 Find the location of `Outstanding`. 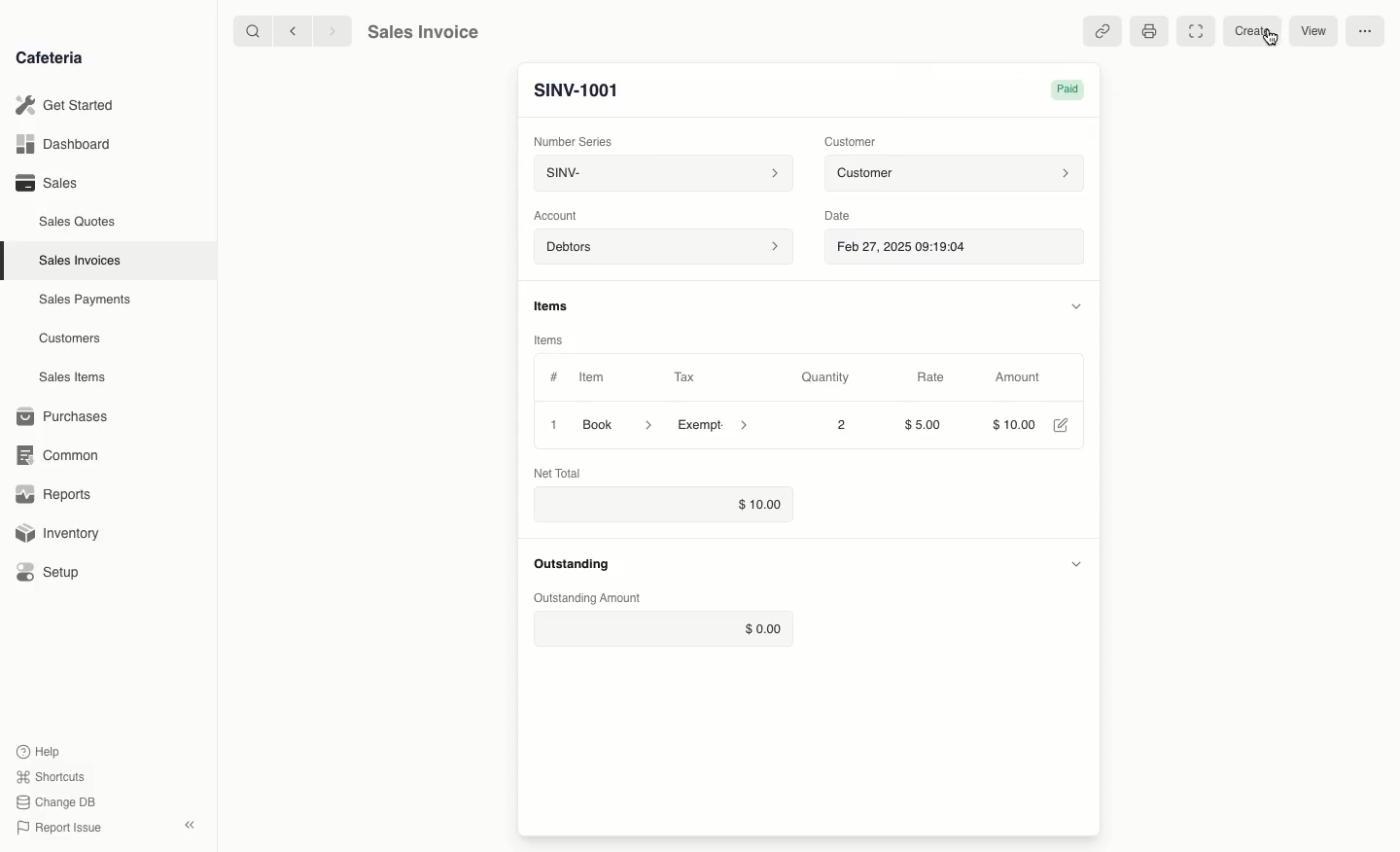

Outstanding is located at coordinates (572, 564).